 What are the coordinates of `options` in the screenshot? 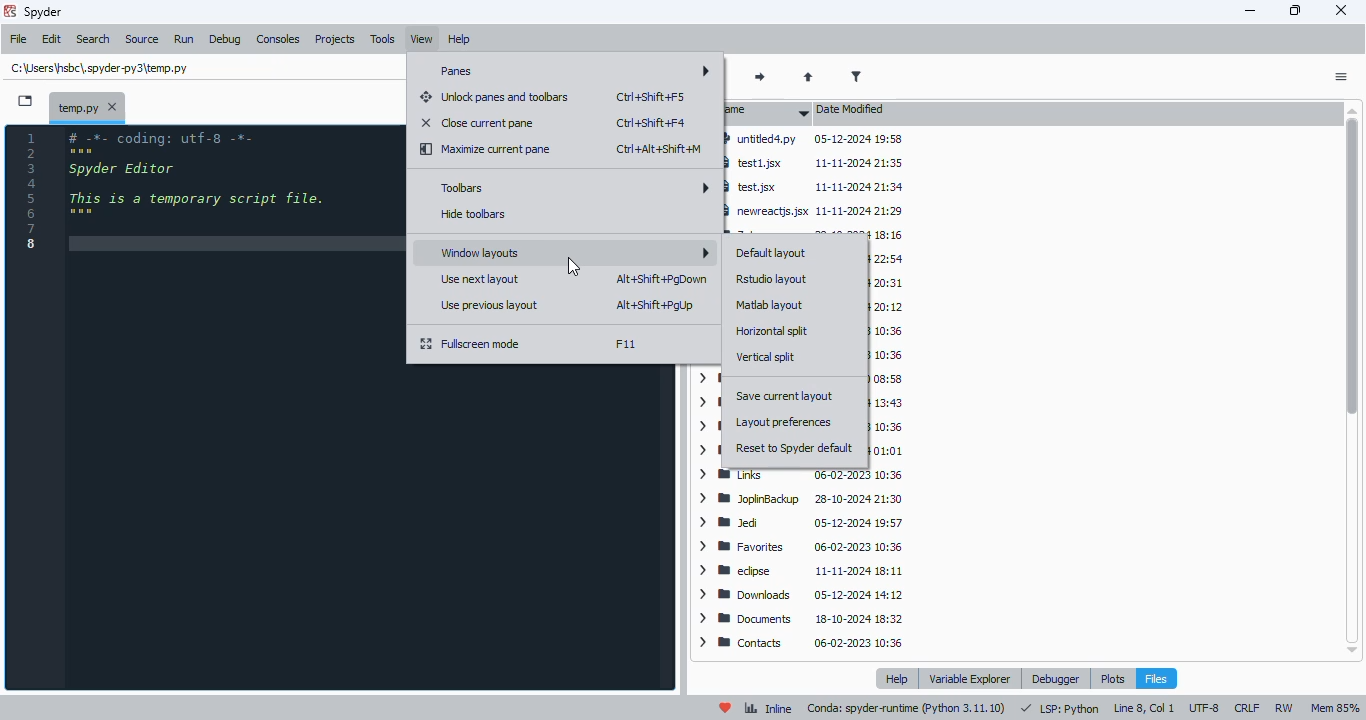 It's located at (1341, 78).